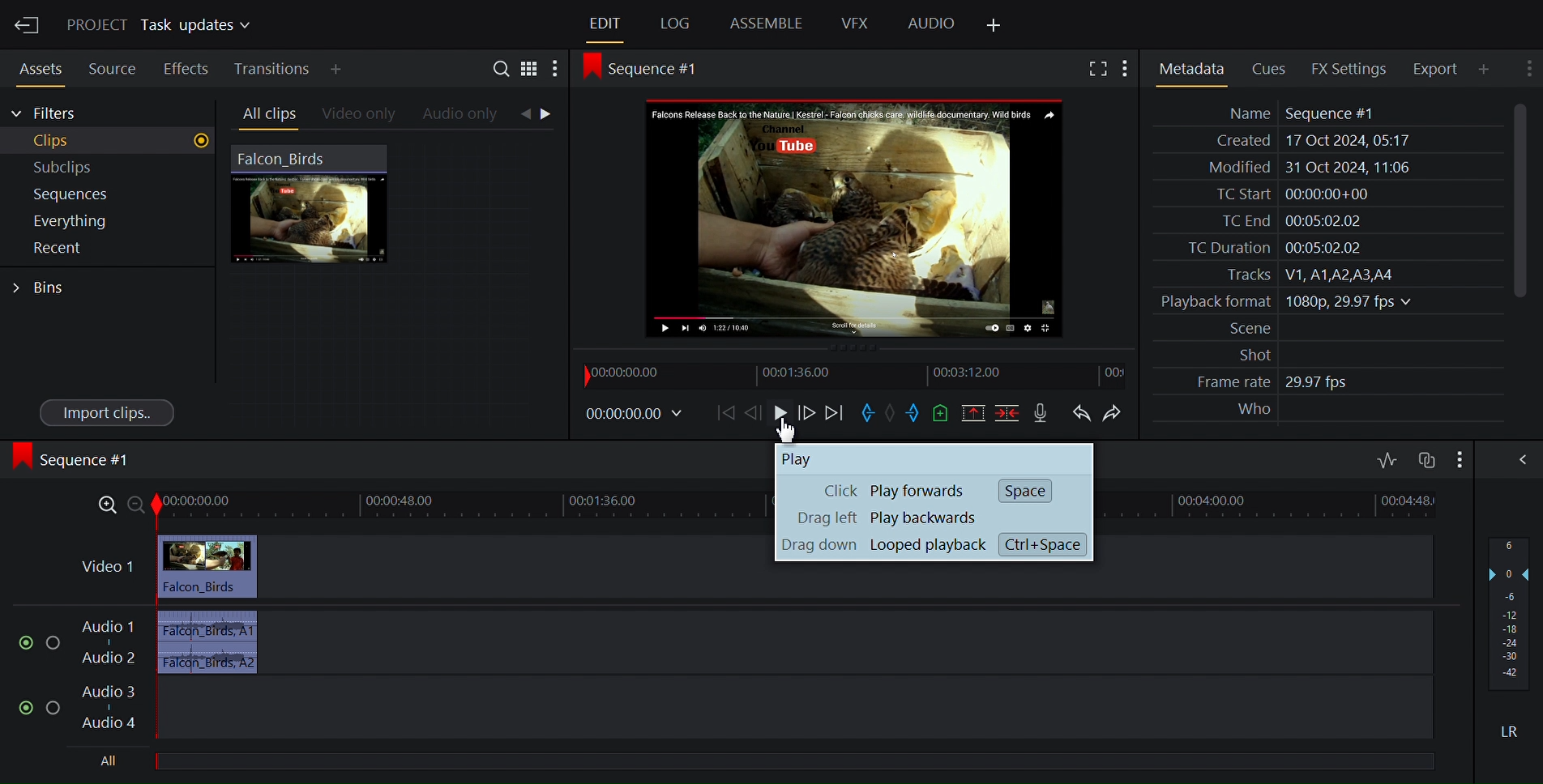  What do you see at coordinates (752, 641) in the screenshot?
I see `Audio 1, Audio 2` at bounding box center [752, 641].